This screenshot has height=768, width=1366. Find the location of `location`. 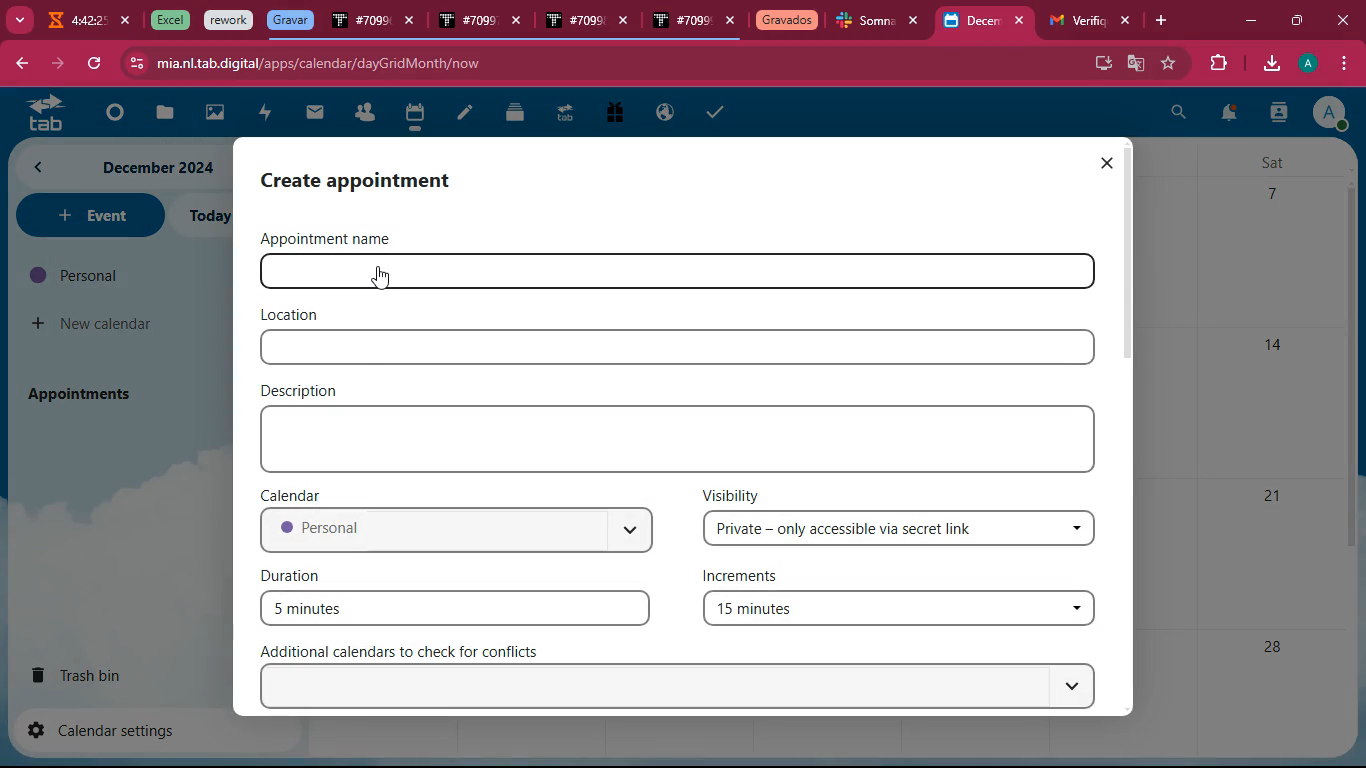

location is located at coordinates (292, 315).